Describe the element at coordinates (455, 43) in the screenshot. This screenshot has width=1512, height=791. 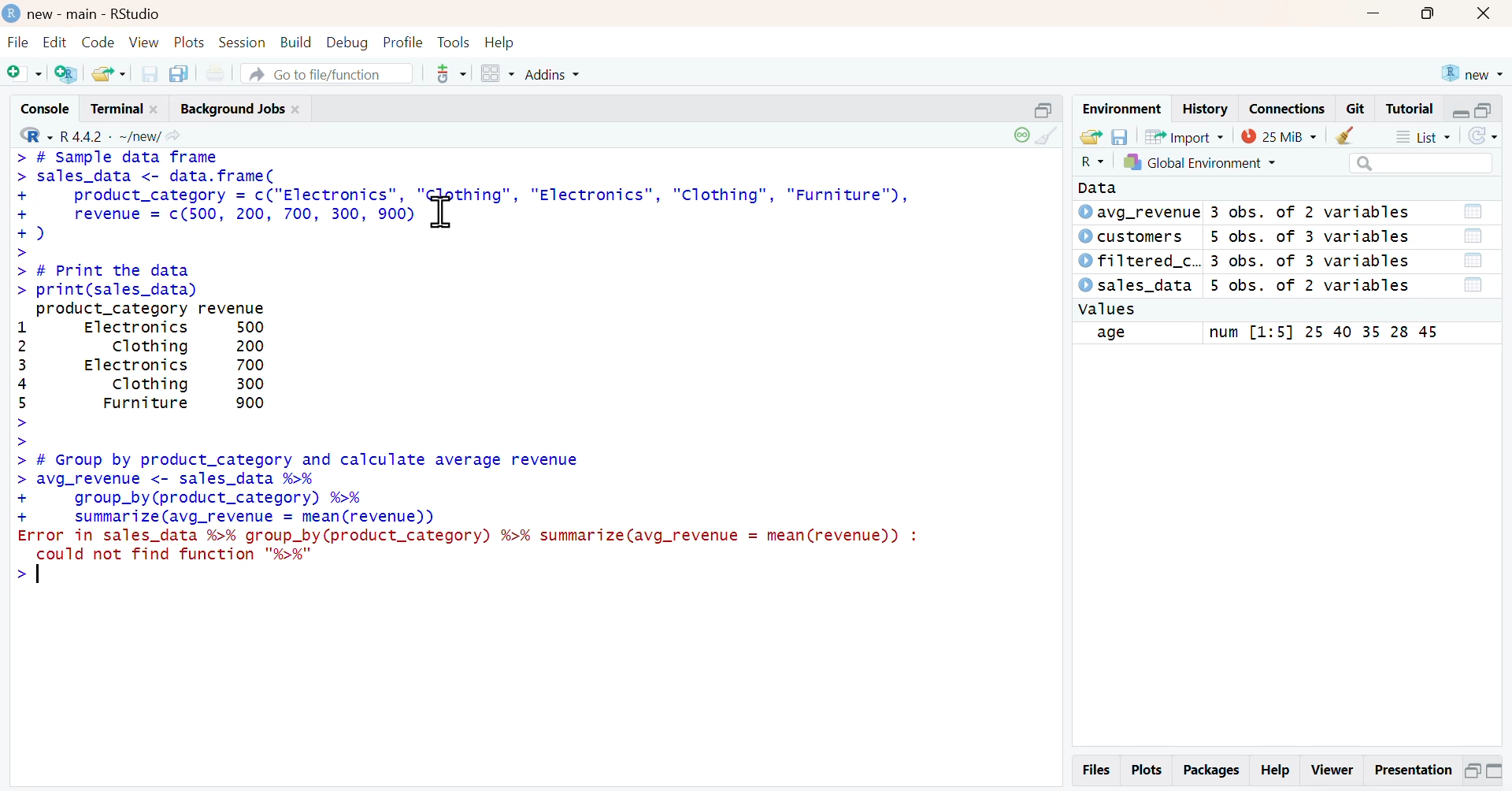
I see `Tools` at that location.